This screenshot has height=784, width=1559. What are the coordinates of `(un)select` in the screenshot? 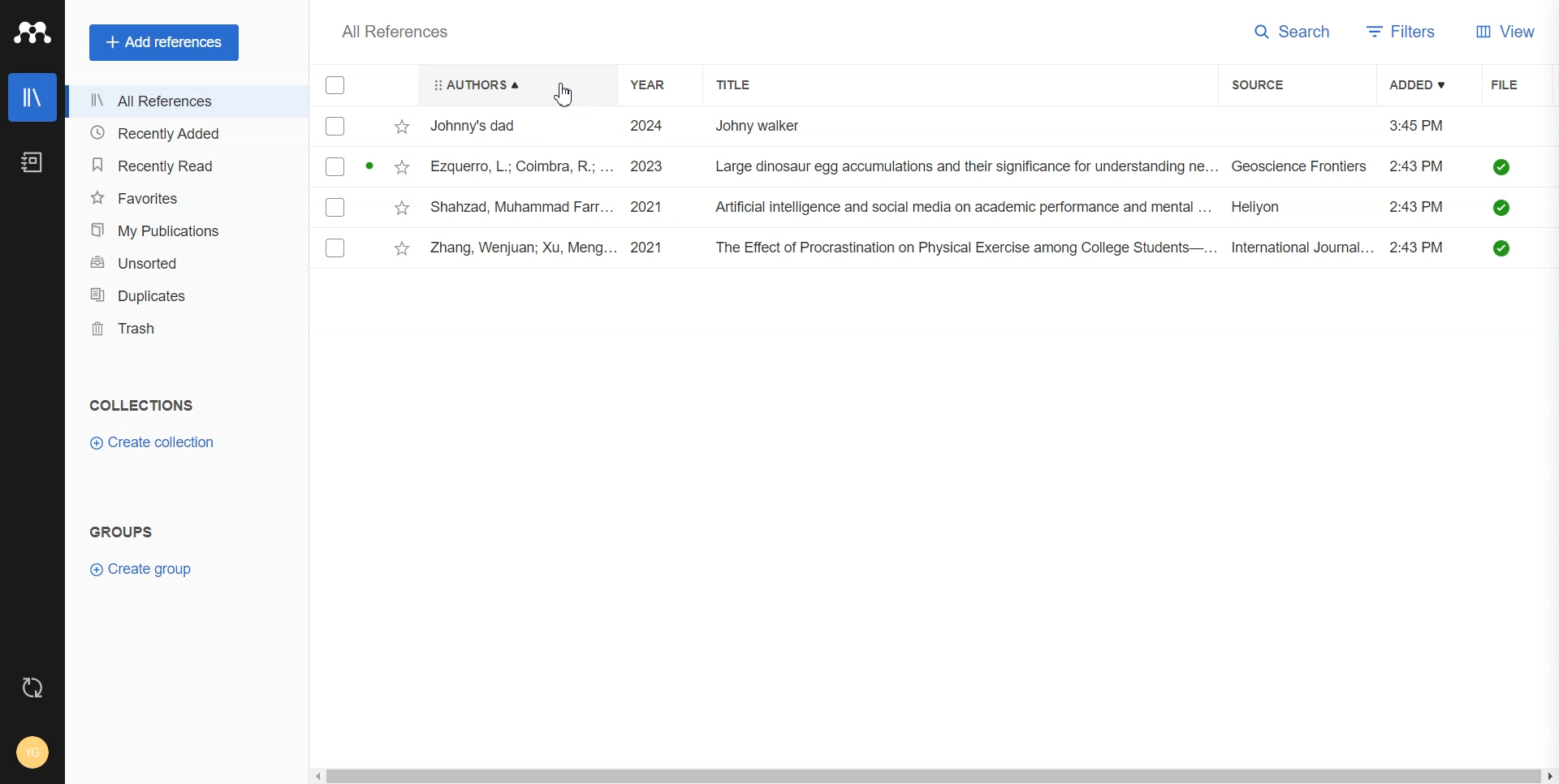 It's located at (337, 209).